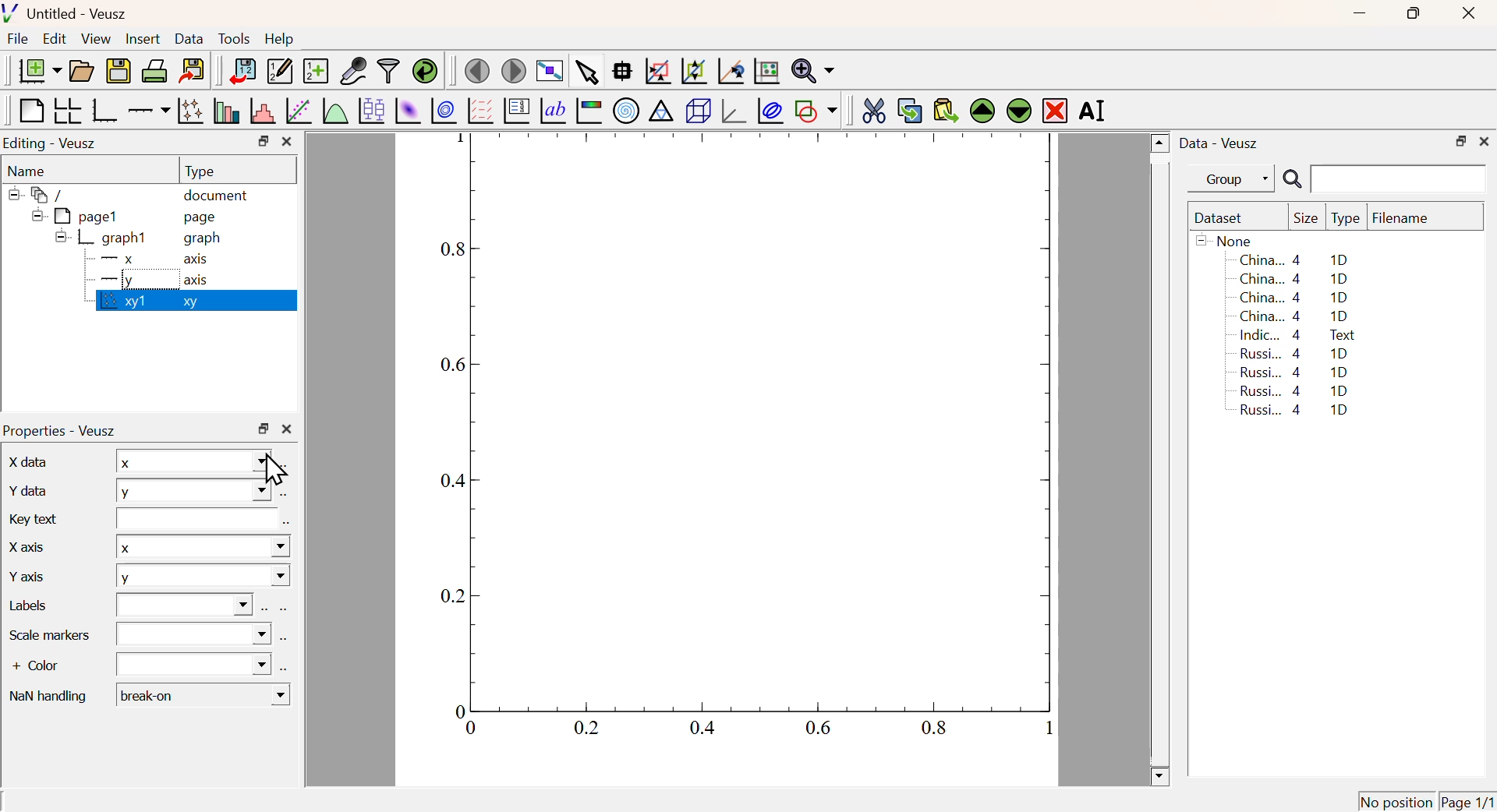 The height and width of the screenshot is (812, 1497). What do you see at coordinates (407, 111) in the screenshot?
I see `Plot 2D set as image` at bounding box center [407, 111].